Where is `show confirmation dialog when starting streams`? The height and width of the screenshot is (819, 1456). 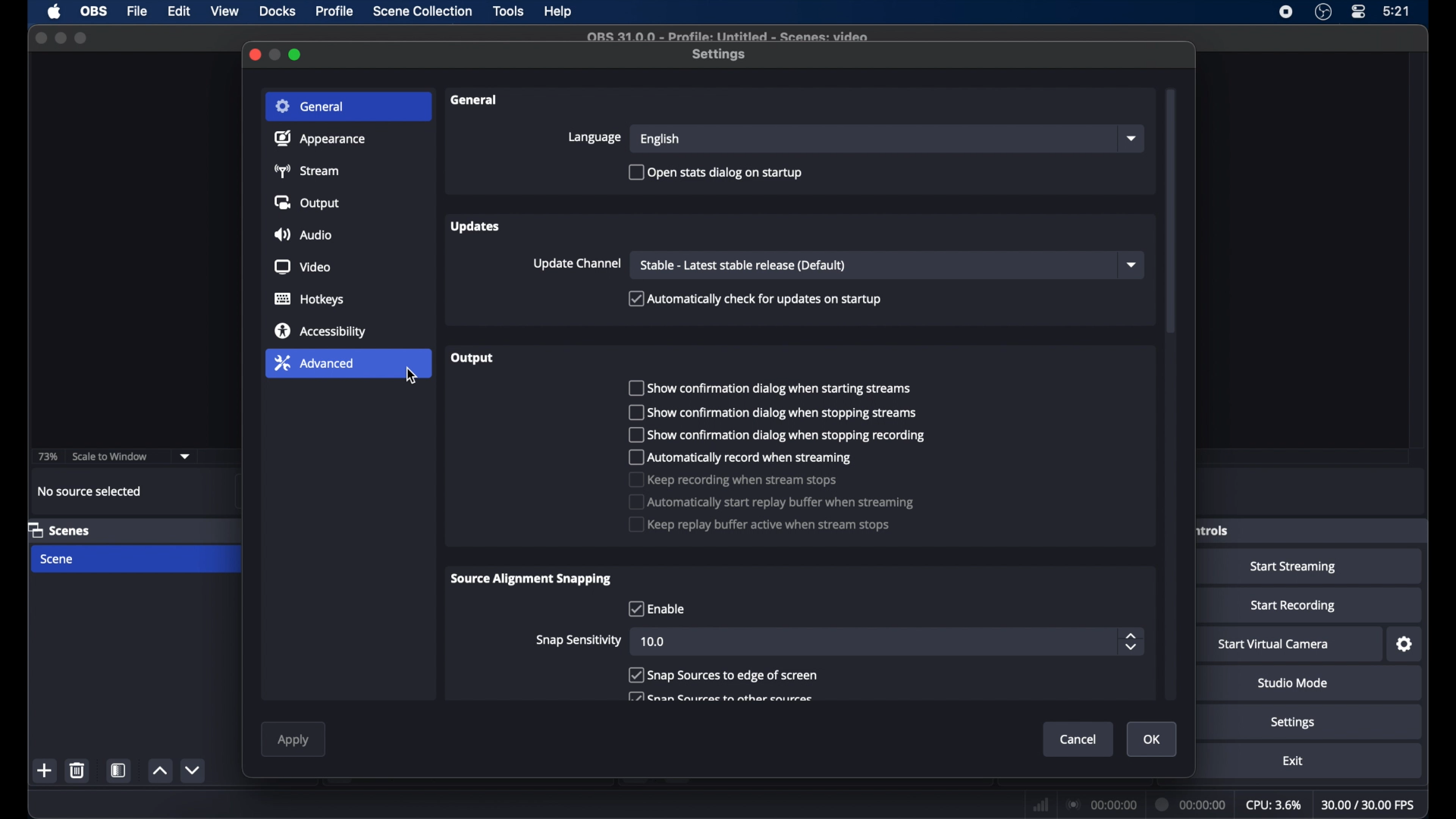
show confirmation dialog when starting streams is located at coordinates (768, 388).